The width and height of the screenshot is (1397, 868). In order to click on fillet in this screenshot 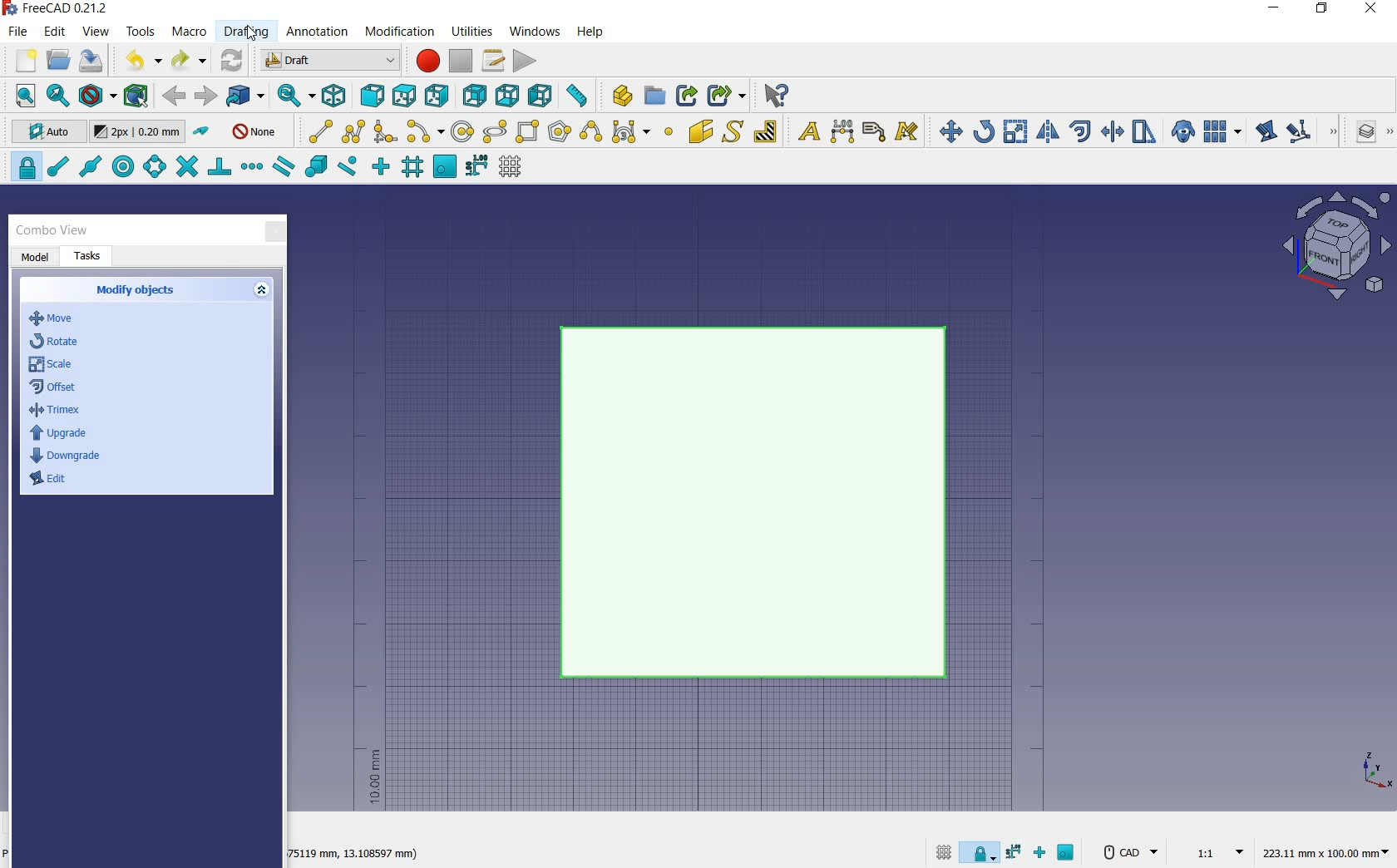, I will do `click(386, 132)`.